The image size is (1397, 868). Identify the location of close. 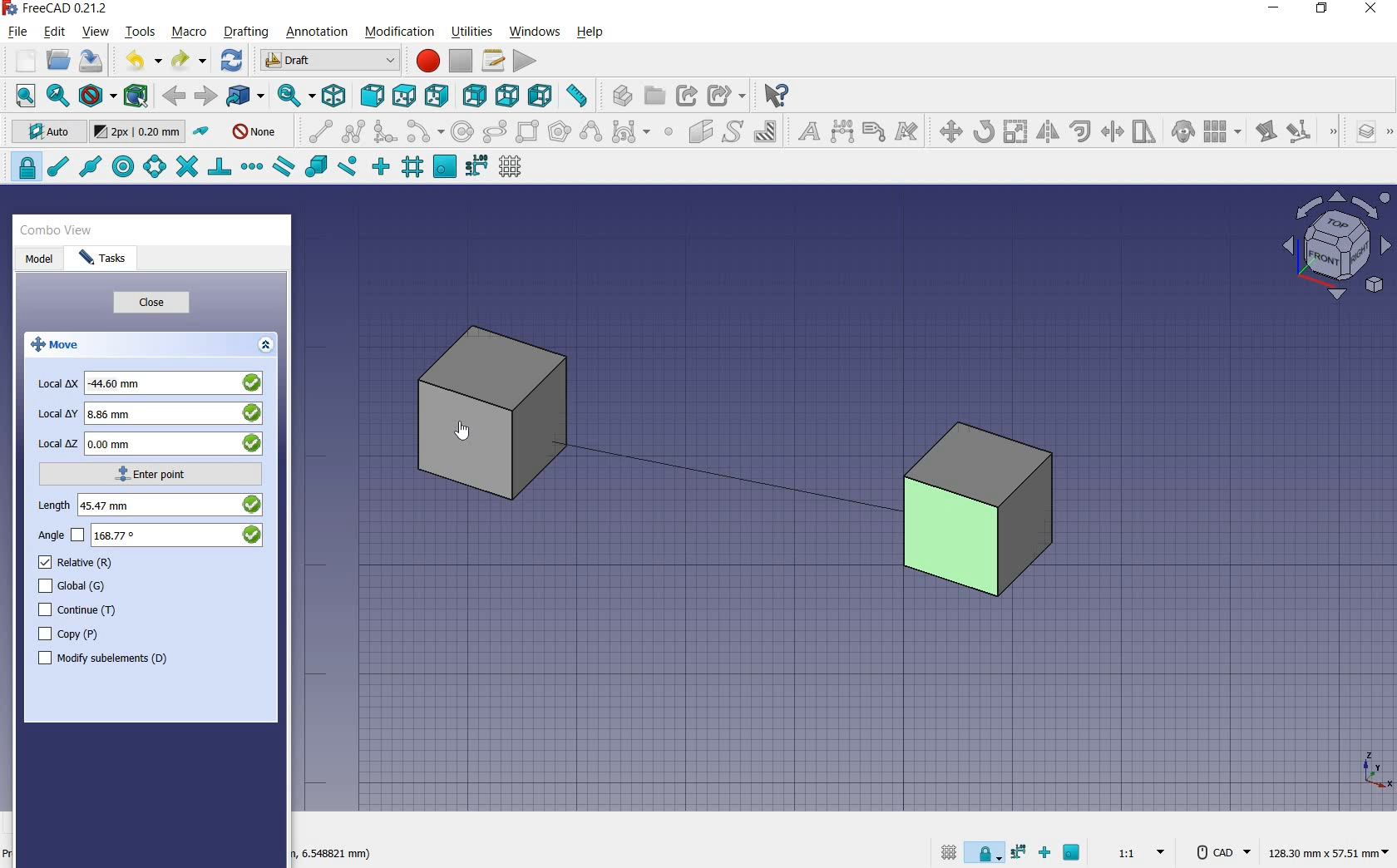
(152, 303).